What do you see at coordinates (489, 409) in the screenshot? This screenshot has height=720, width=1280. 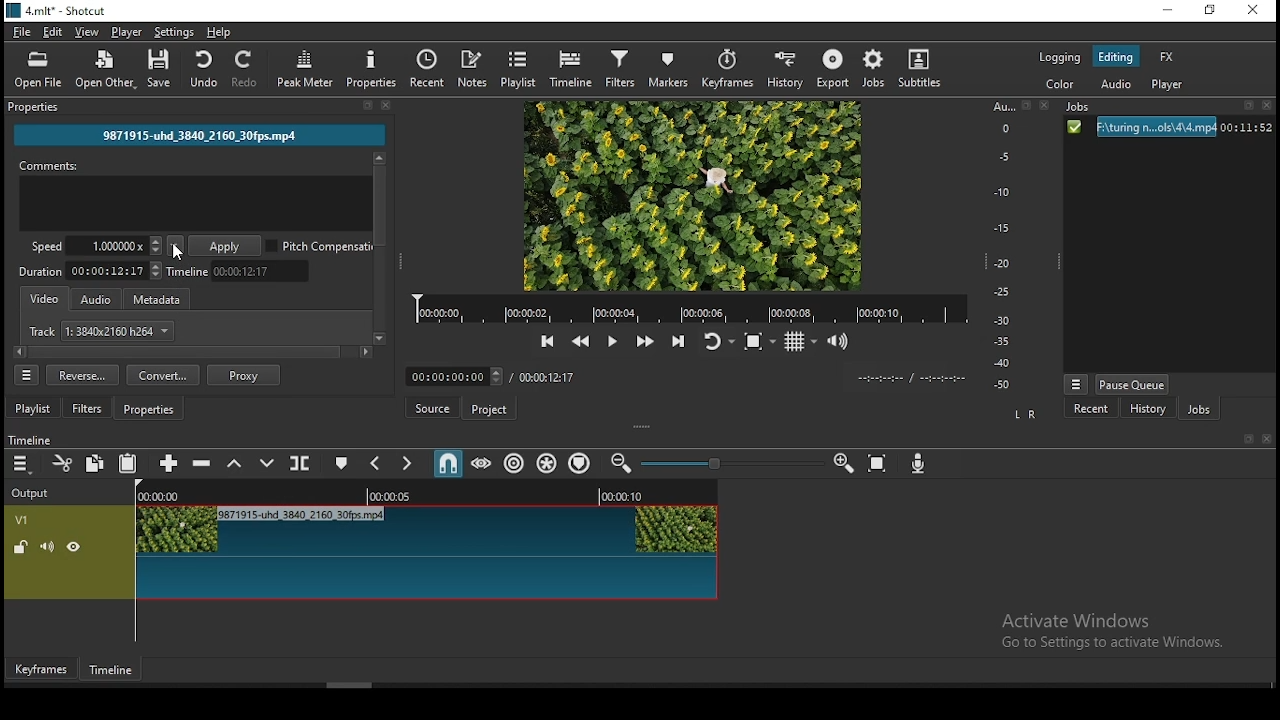 I see `project` at bounding box center [489, 409].